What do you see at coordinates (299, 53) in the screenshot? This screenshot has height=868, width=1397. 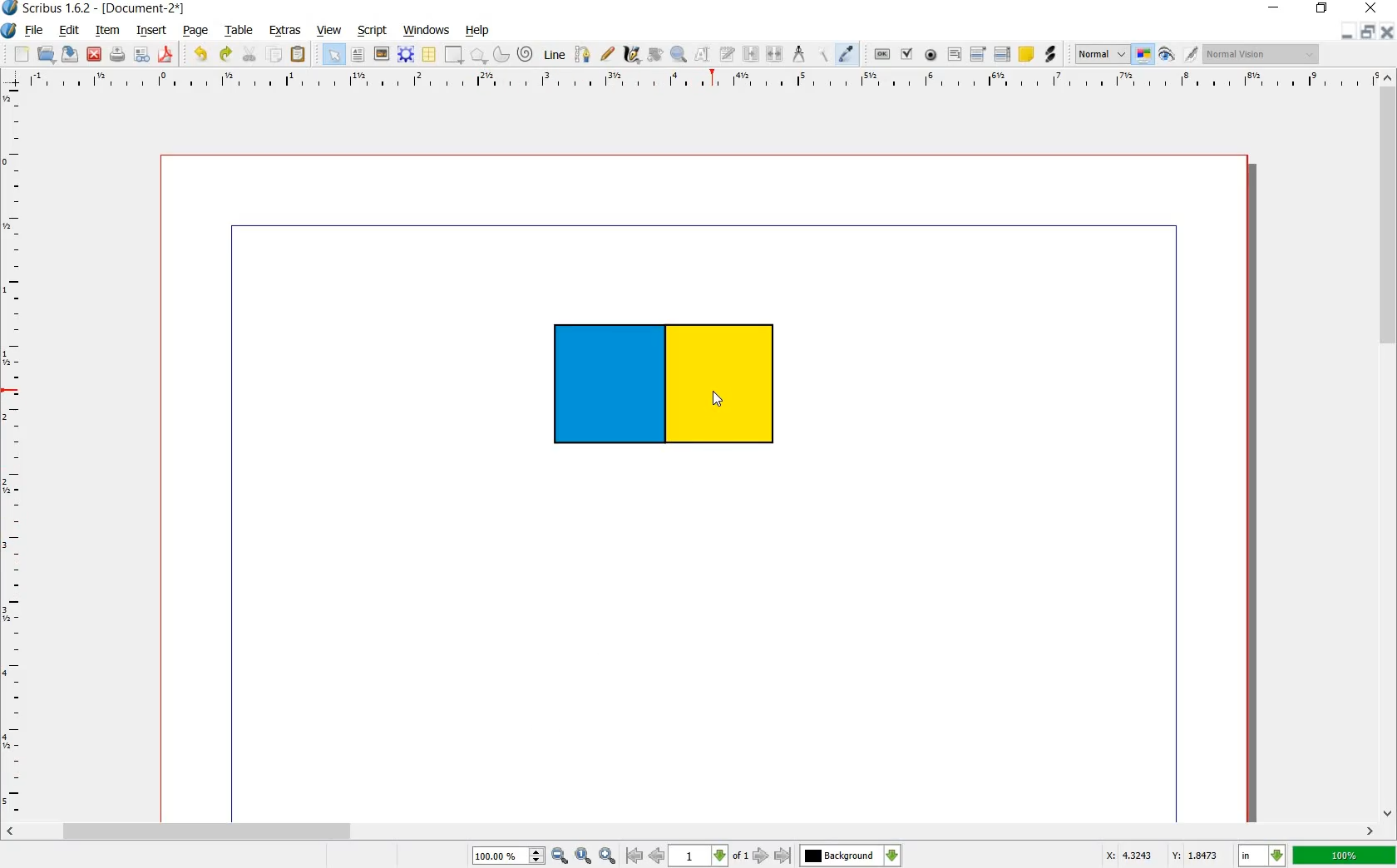 I see `paste` at bounding box center [299, 53].